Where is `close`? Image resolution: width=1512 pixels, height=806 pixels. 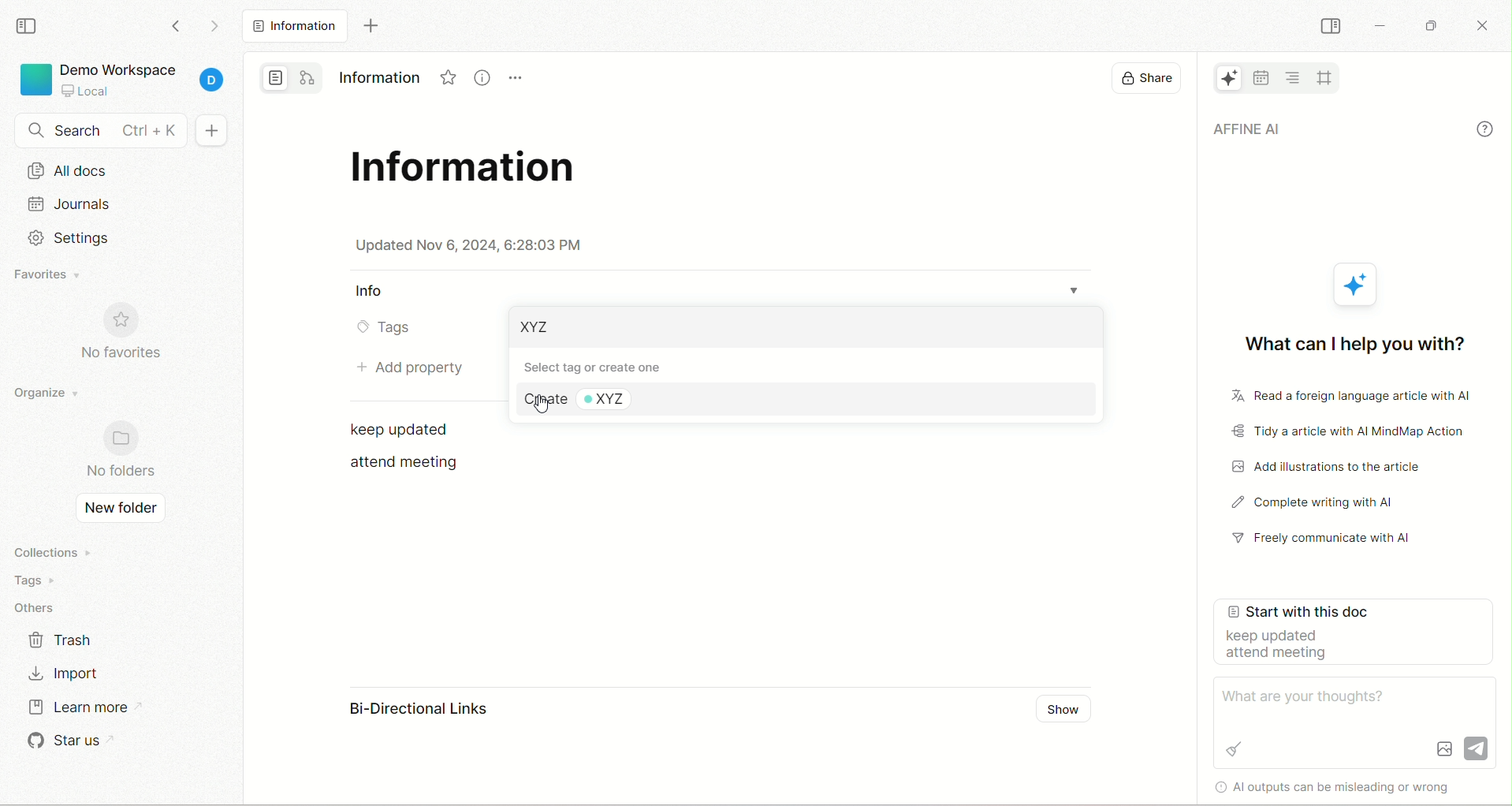 close is located at coordinates (1484, 28).